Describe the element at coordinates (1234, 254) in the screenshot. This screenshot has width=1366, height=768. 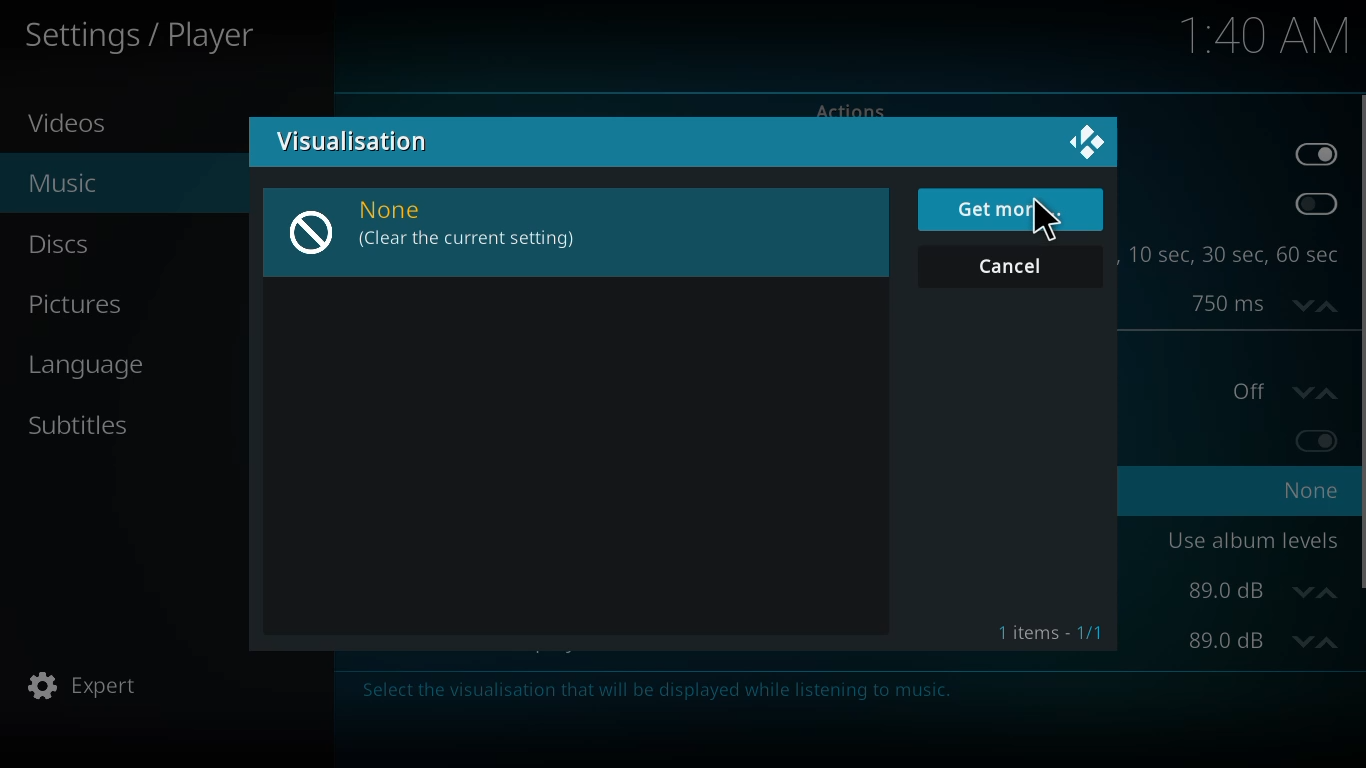
I see `steps` at that location.